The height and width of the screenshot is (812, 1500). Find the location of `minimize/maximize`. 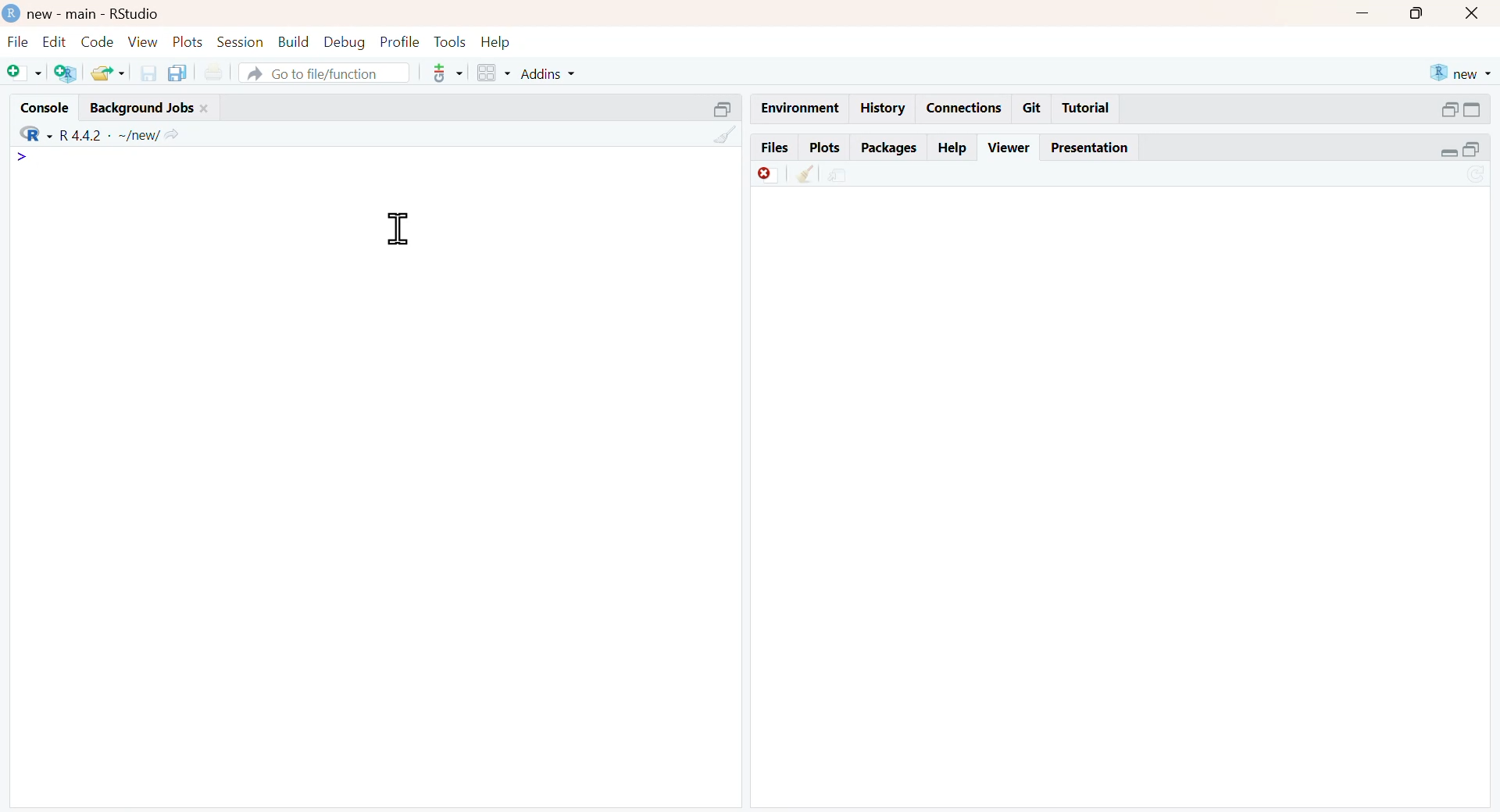

minimize/maximize is located at coordinates (1460, 150).